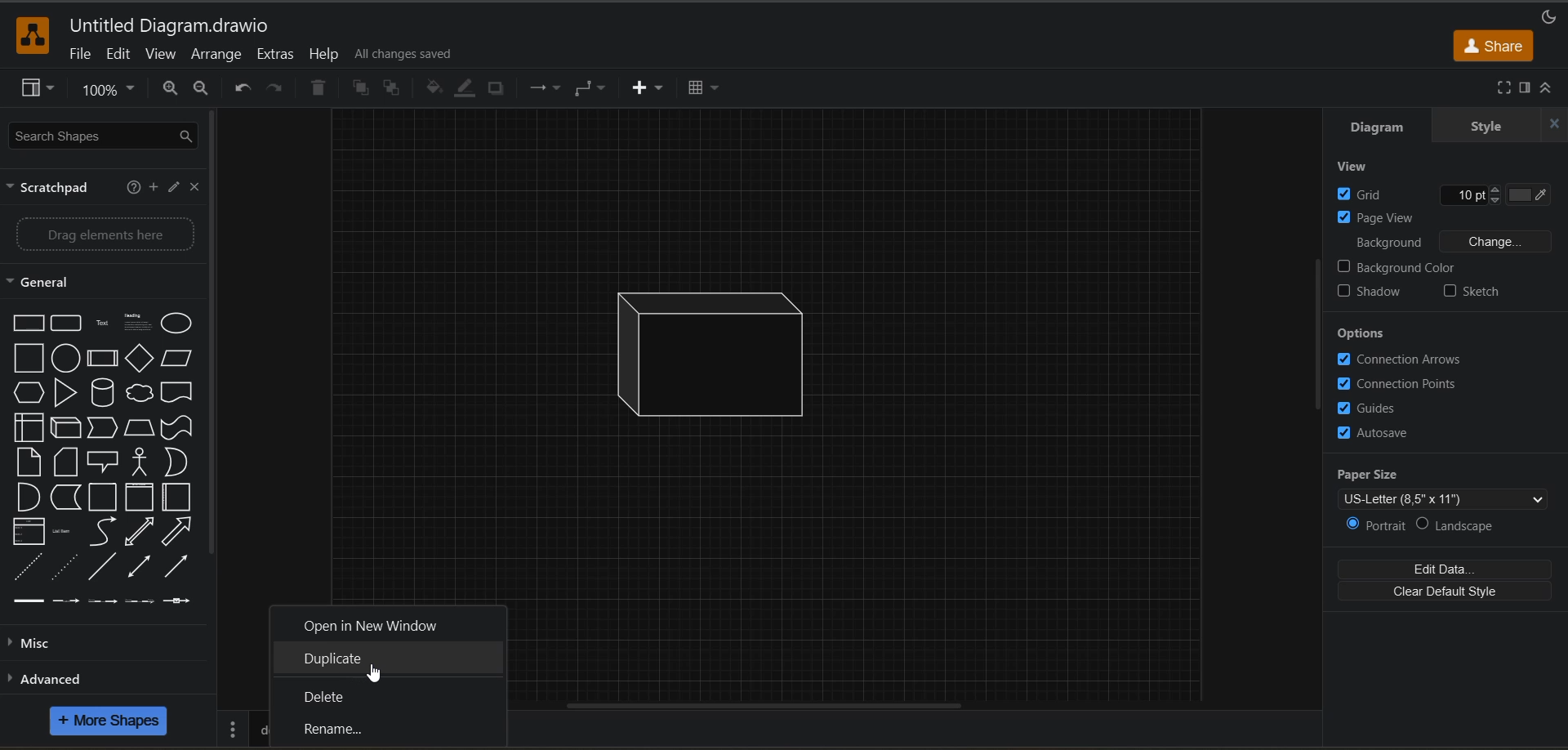  I want to click on extras, so click(274, 54).